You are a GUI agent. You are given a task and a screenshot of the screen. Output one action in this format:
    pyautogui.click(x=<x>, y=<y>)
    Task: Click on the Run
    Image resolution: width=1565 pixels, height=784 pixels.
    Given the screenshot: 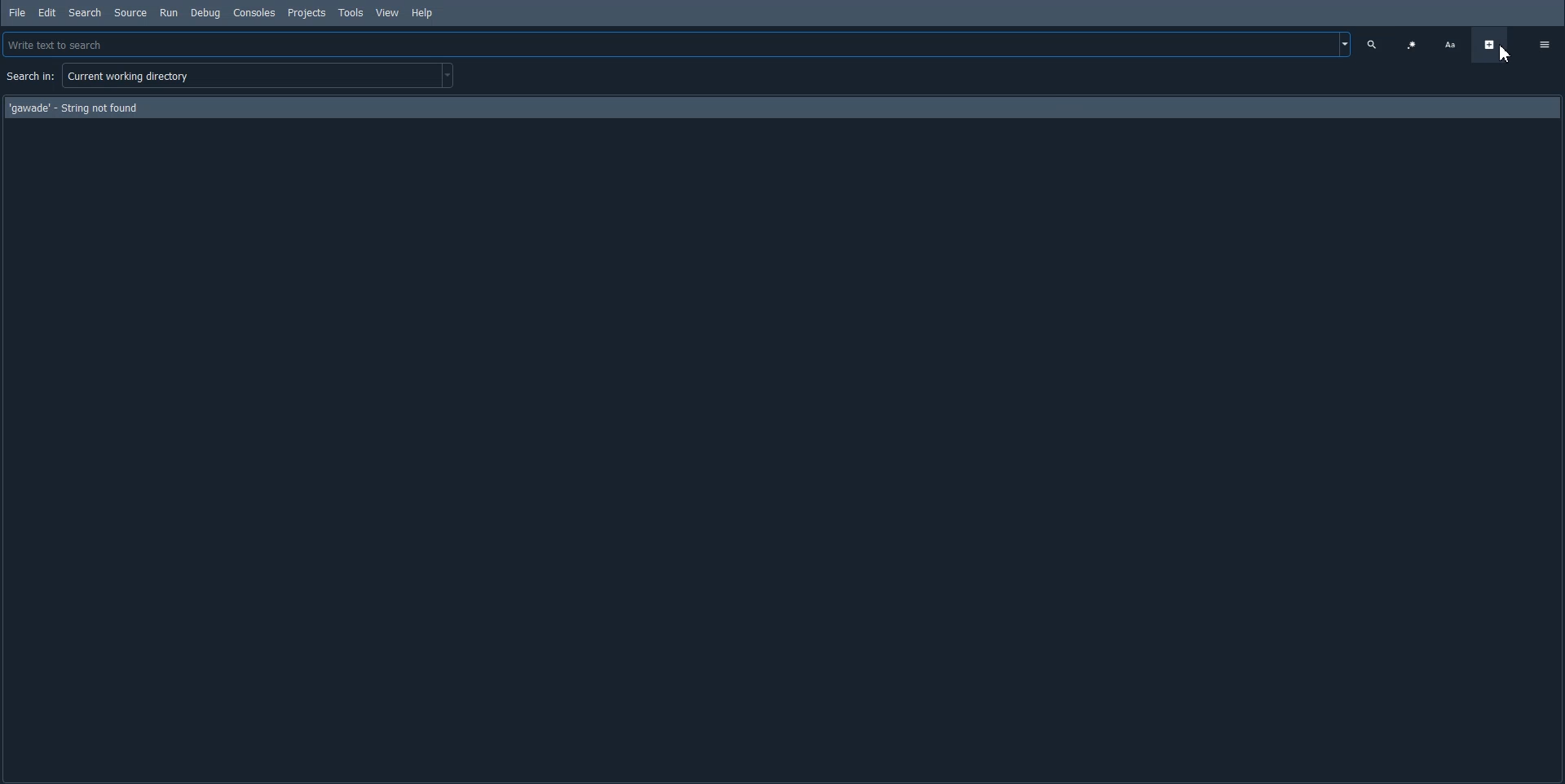 What is the action you would take?
    pyautogui.click(x=169, y=12)
    